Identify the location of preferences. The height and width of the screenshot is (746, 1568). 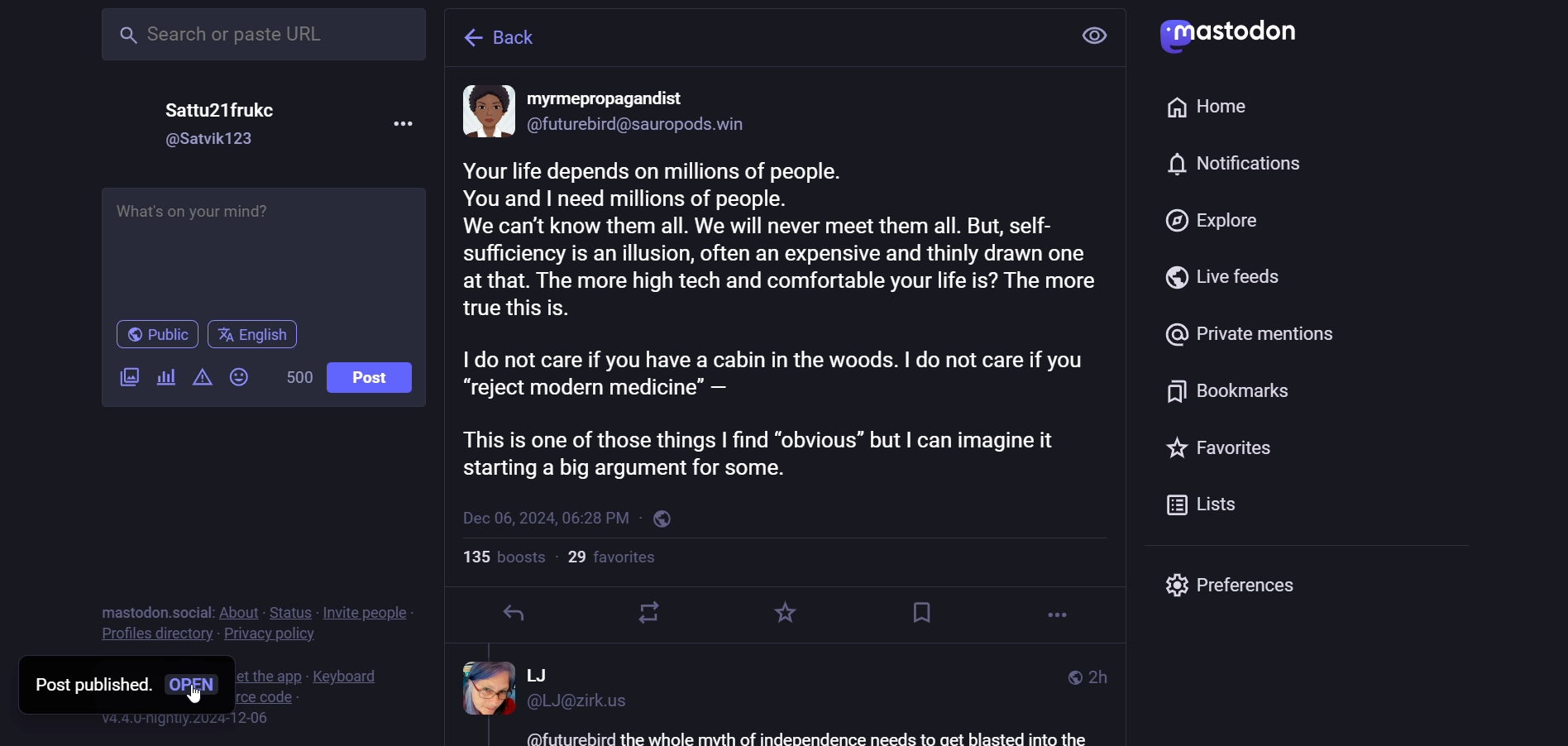
(1234, 587).